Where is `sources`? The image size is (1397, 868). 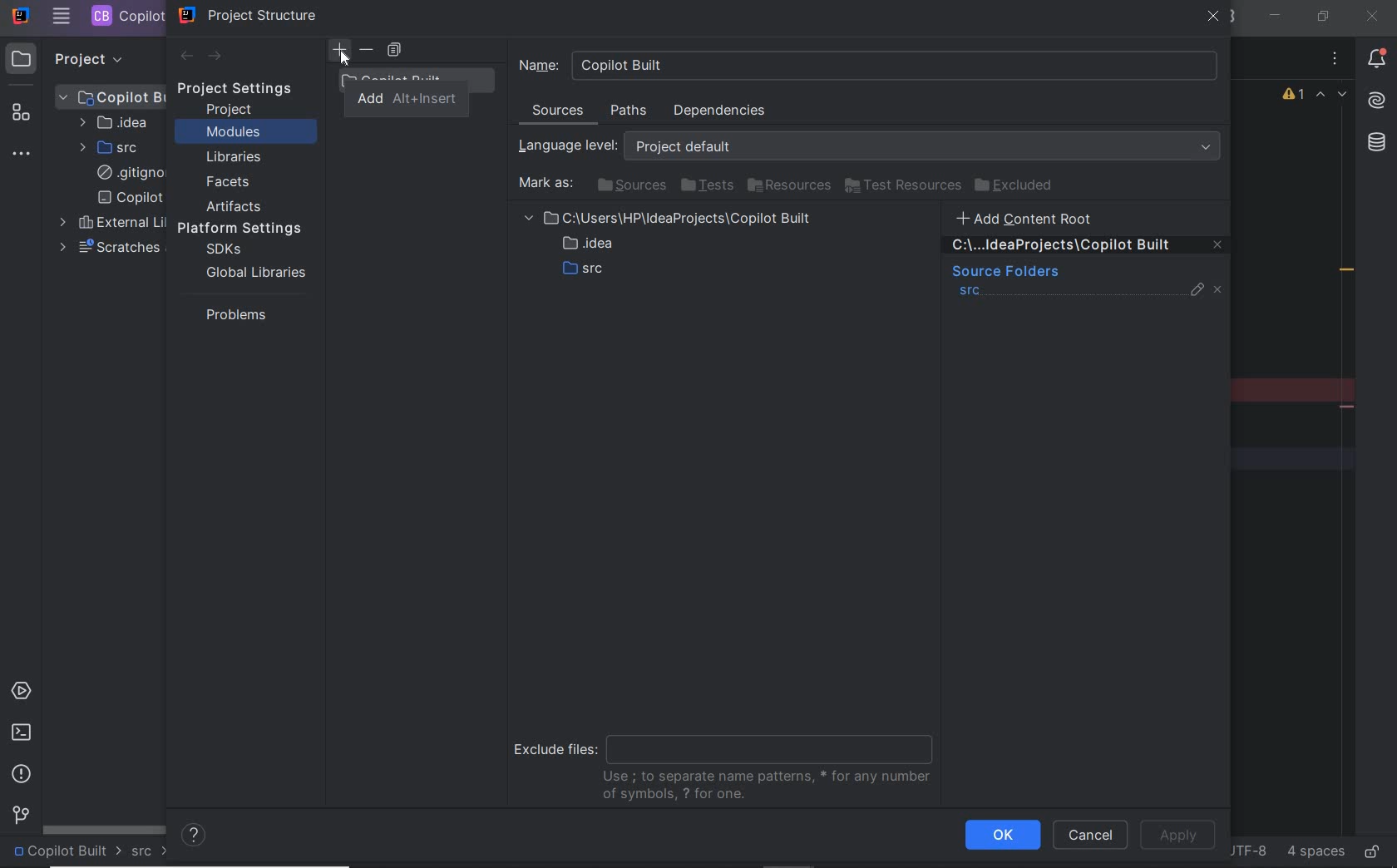 sources is located at coordinates (629, 185).